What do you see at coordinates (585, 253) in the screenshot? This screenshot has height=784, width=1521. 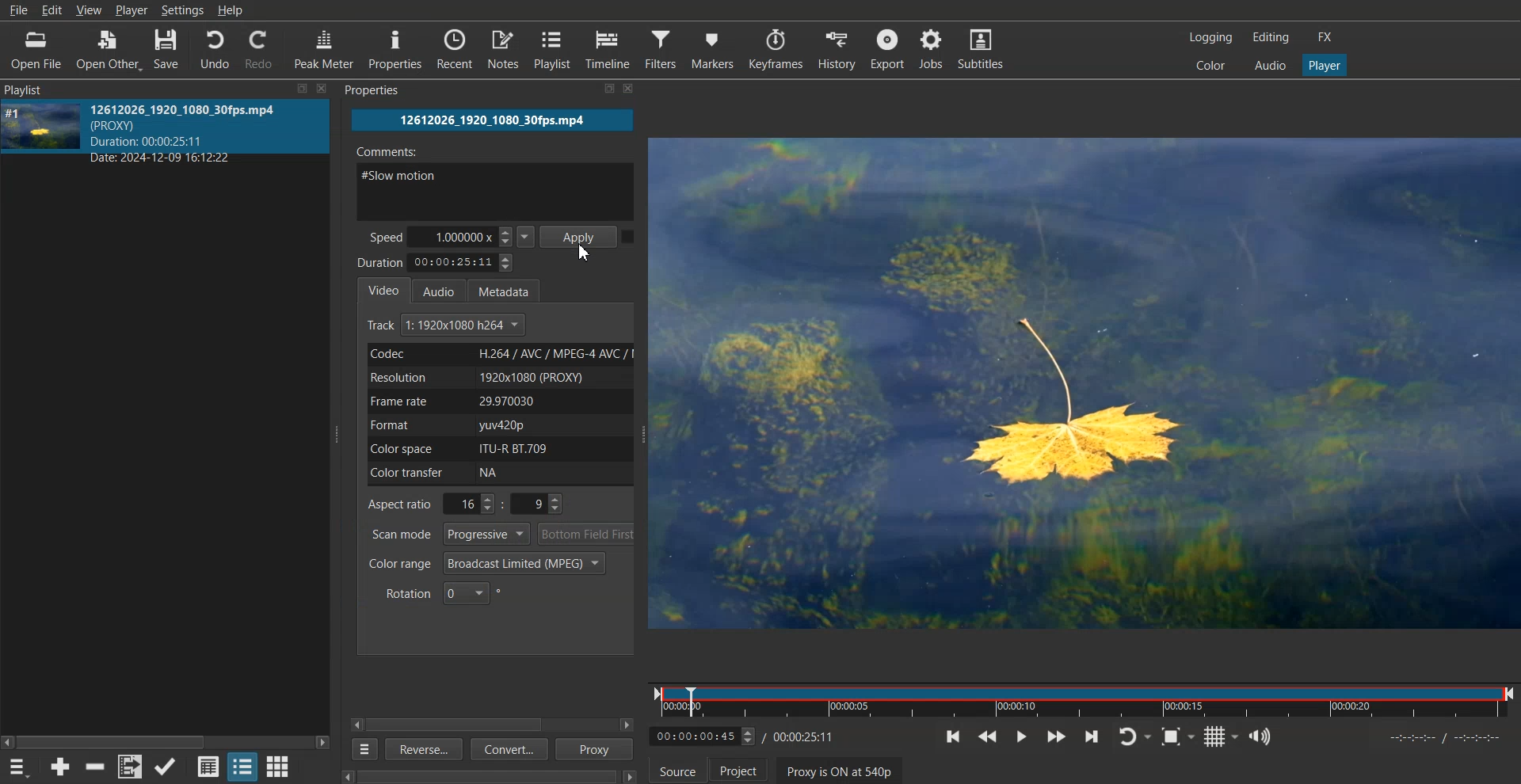 I see `Cursor` at bounding box center [585, 253].